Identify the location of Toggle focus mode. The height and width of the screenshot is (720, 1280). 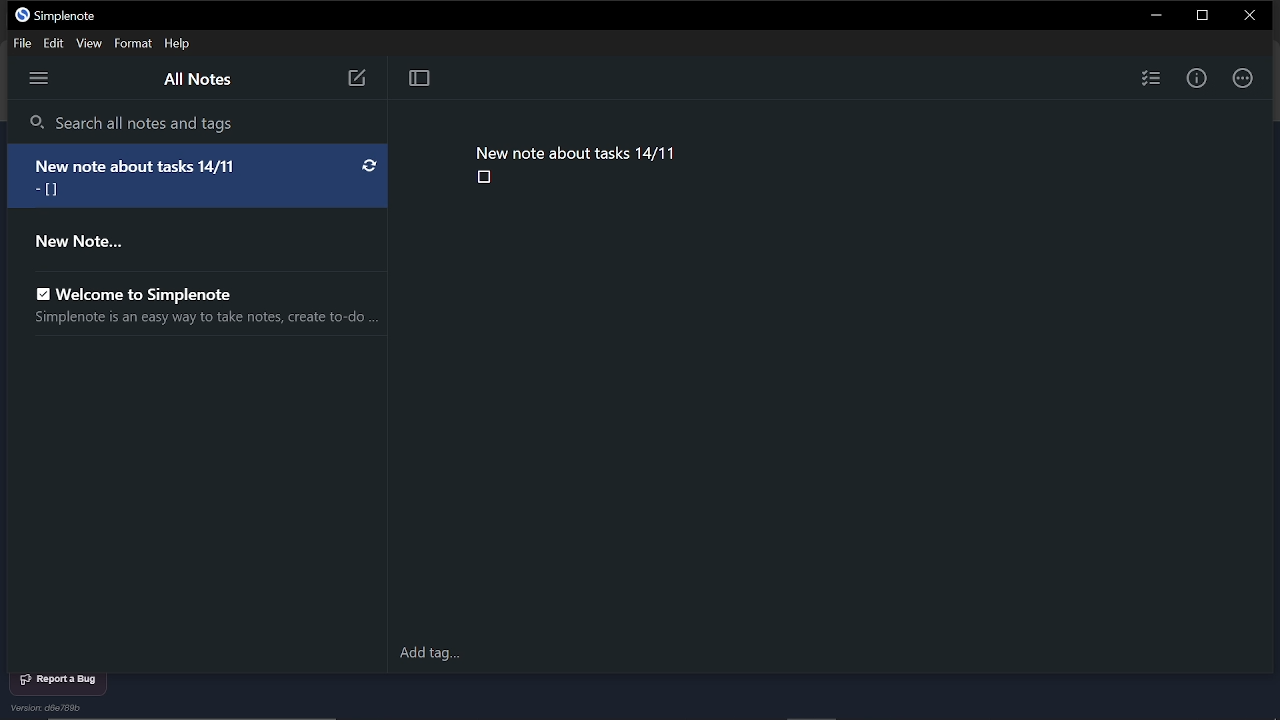
(419, 80).